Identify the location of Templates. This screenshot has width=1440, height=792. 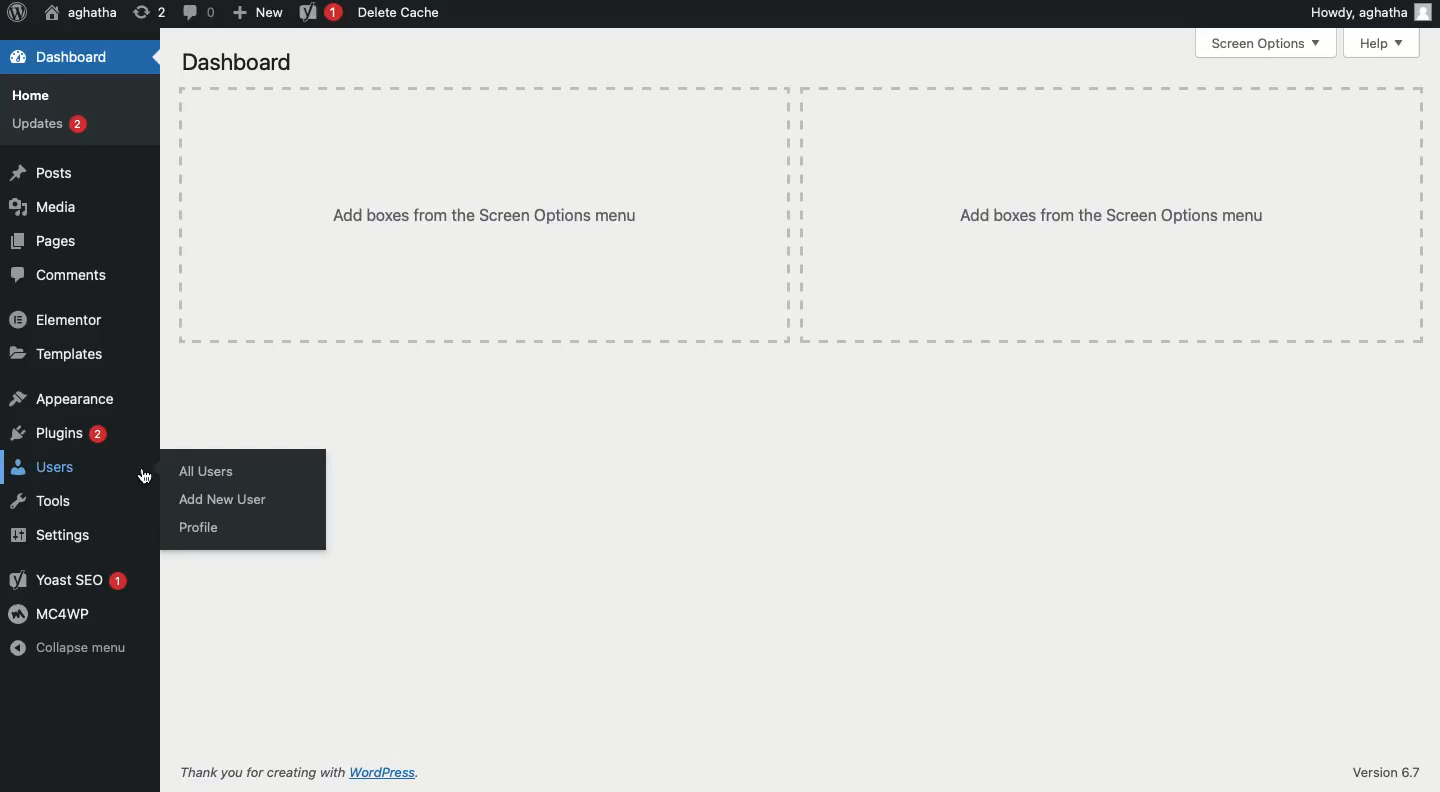
(58, 355).